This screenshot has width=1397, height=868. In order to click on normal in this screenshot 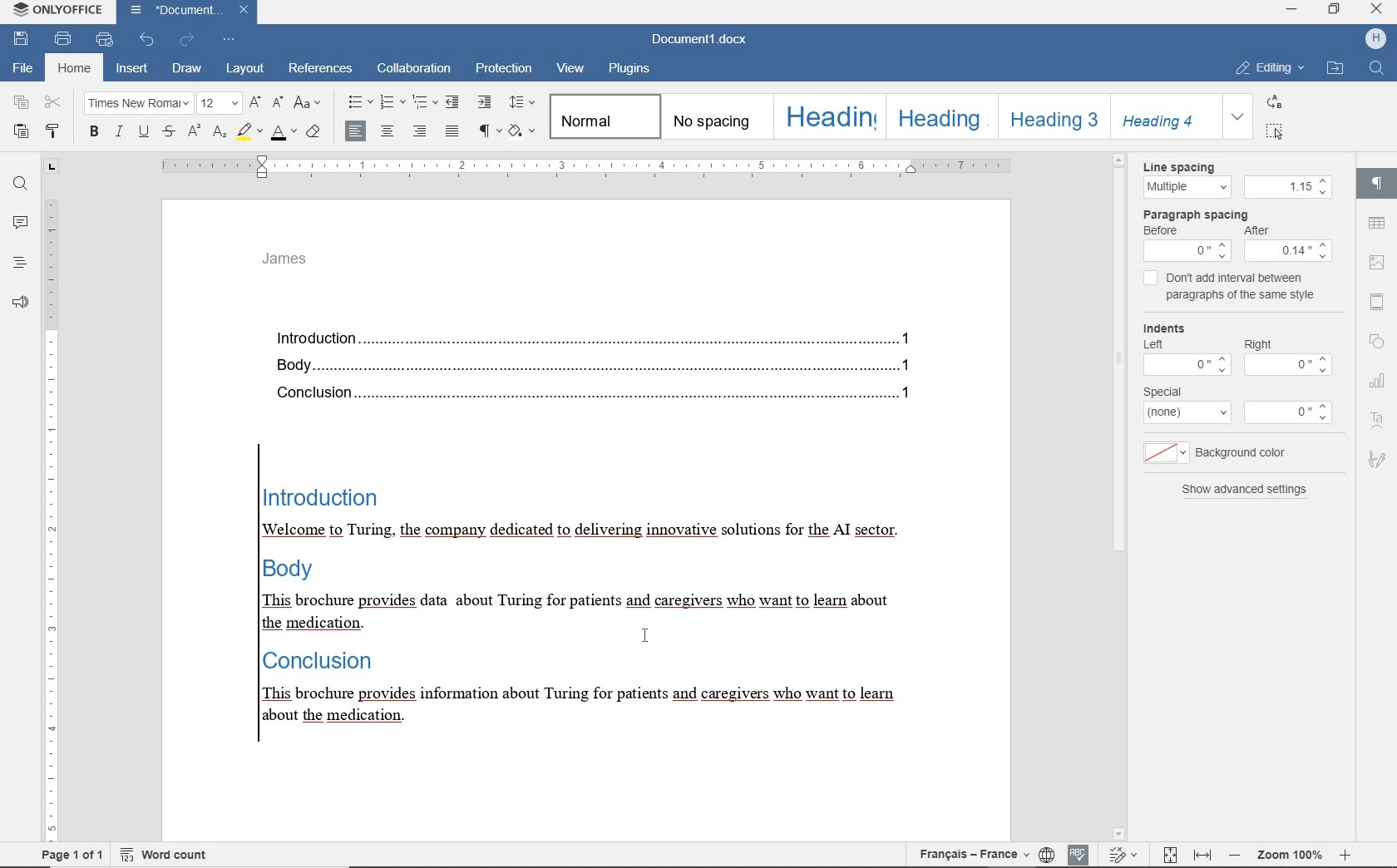, I will do `click(604, 116)`.